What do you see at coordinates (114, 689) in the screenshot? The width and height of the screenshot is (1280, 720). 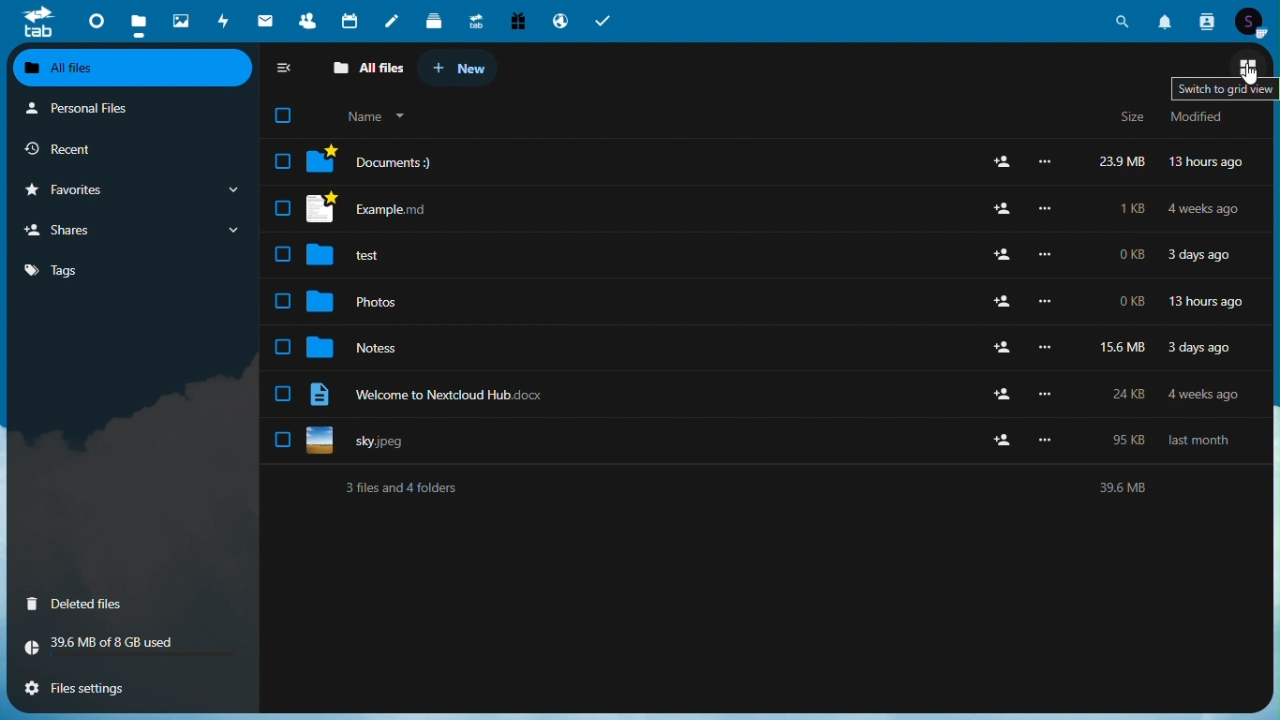 I see `files settings` at bounding box center [114, 689].